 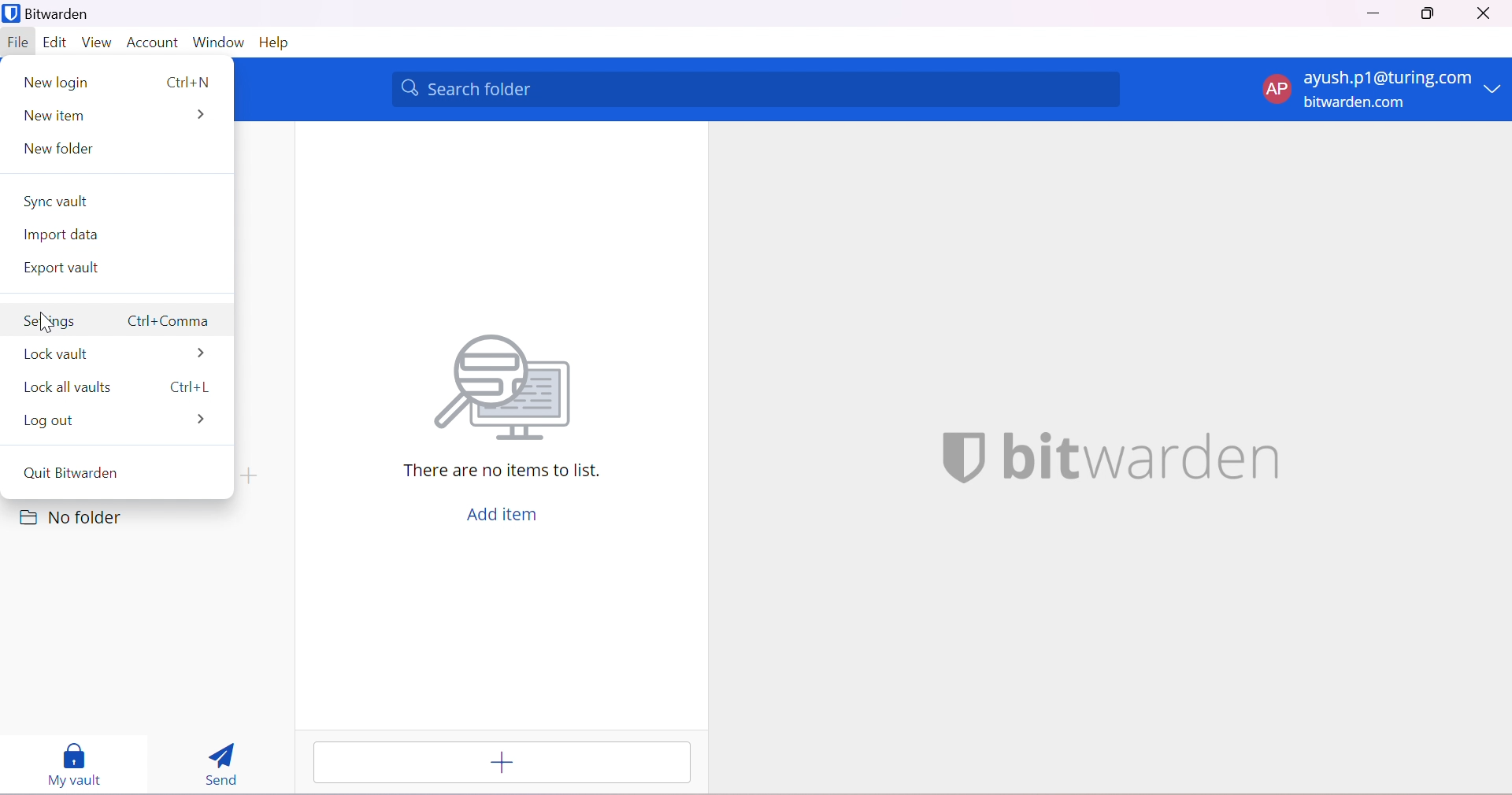 What do you see at coordinates (507, 390) in the screenshot?
I see `Searching for file vector image` at bounding box center [507, 390].